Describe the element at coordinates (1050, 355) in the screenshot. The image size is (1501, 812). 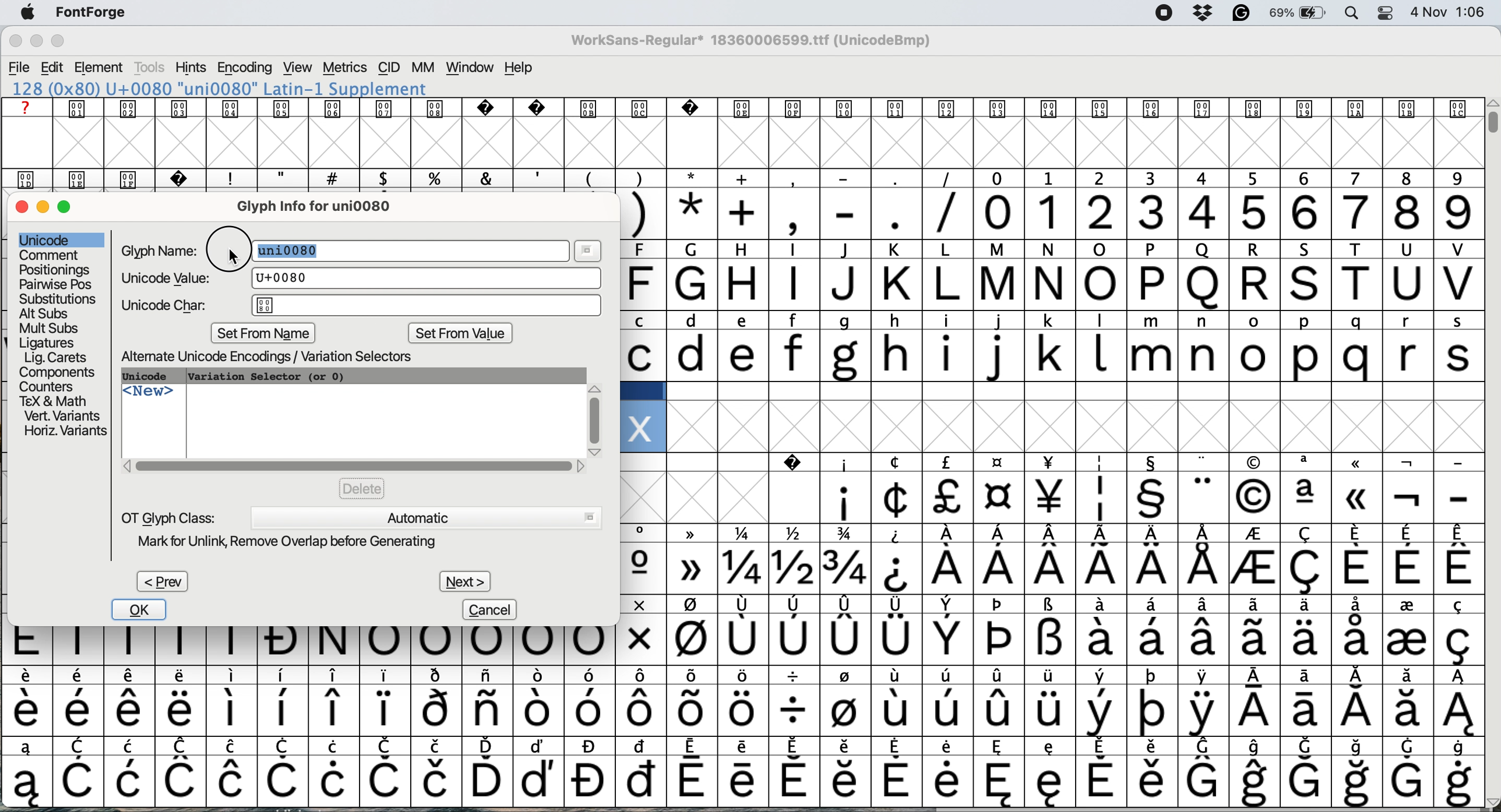
I see `lower case letters a to s` at that location.